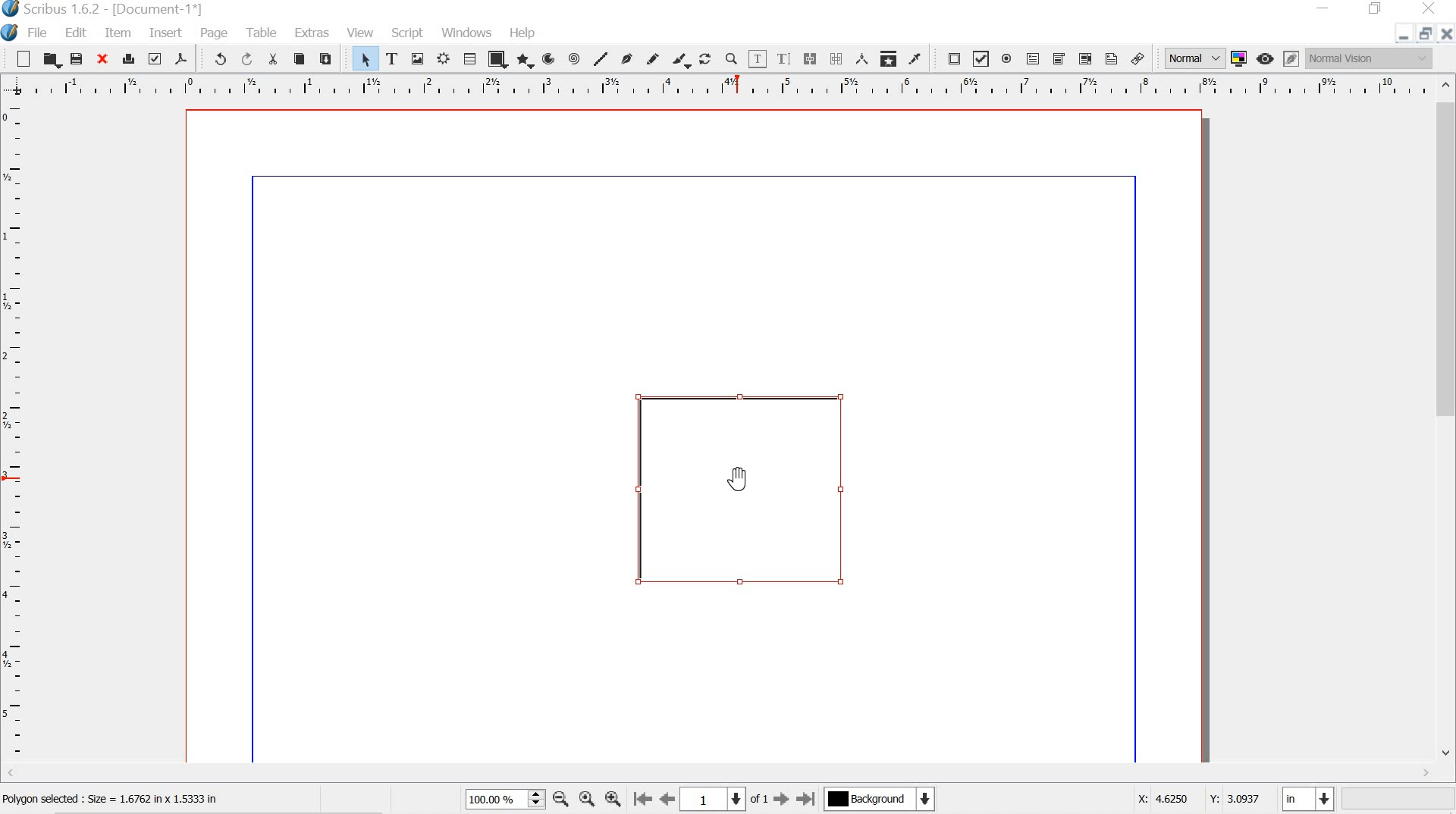 This screenshot has width=1456, height=814. What do you see at coordinates (575, 58) in the screenshot?
I see `spiral` at bounding box center [575, 58].